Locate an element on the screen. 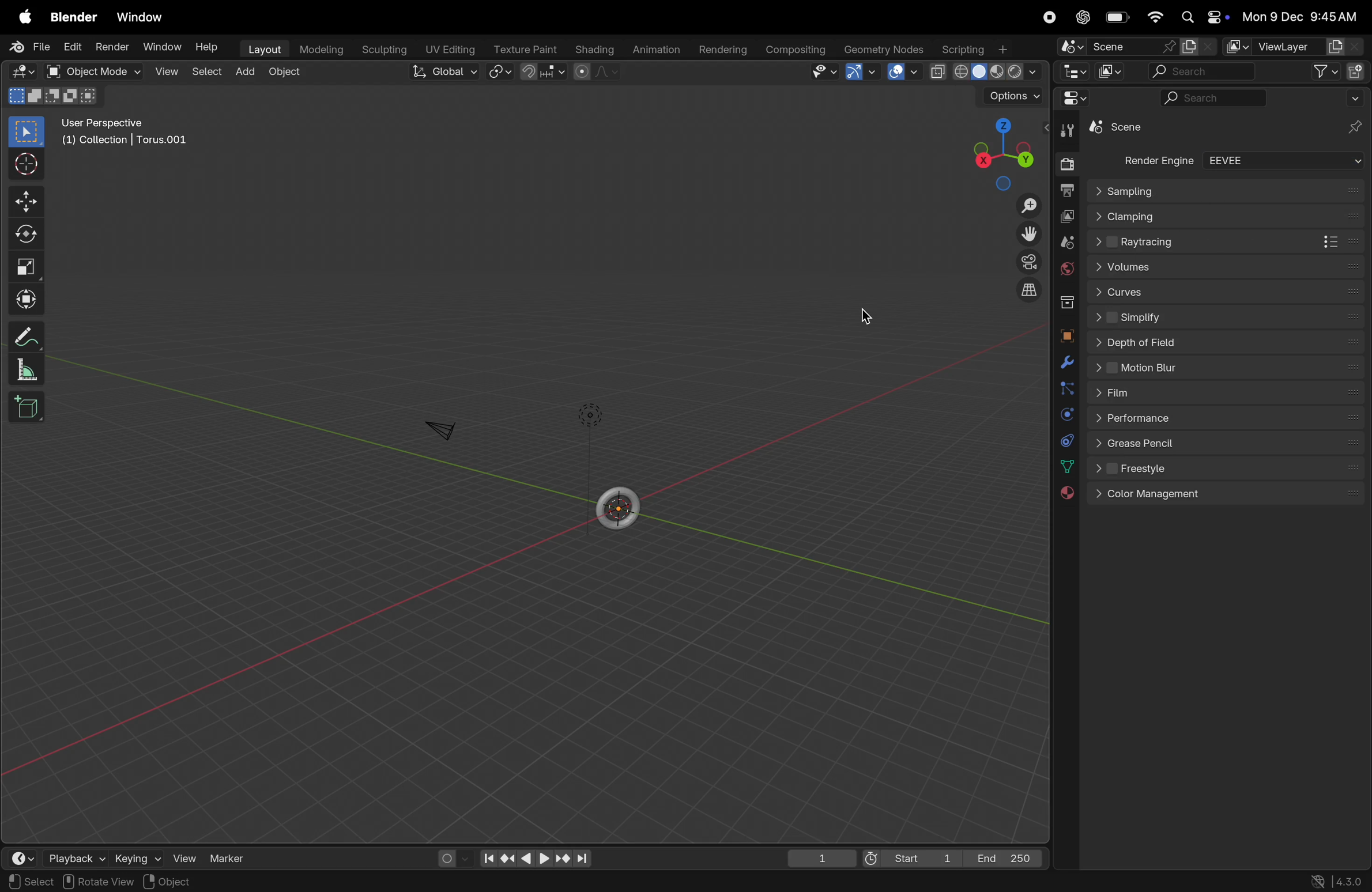 The image size is (1372, 892). editor type is located at coordinates (1068, 101).